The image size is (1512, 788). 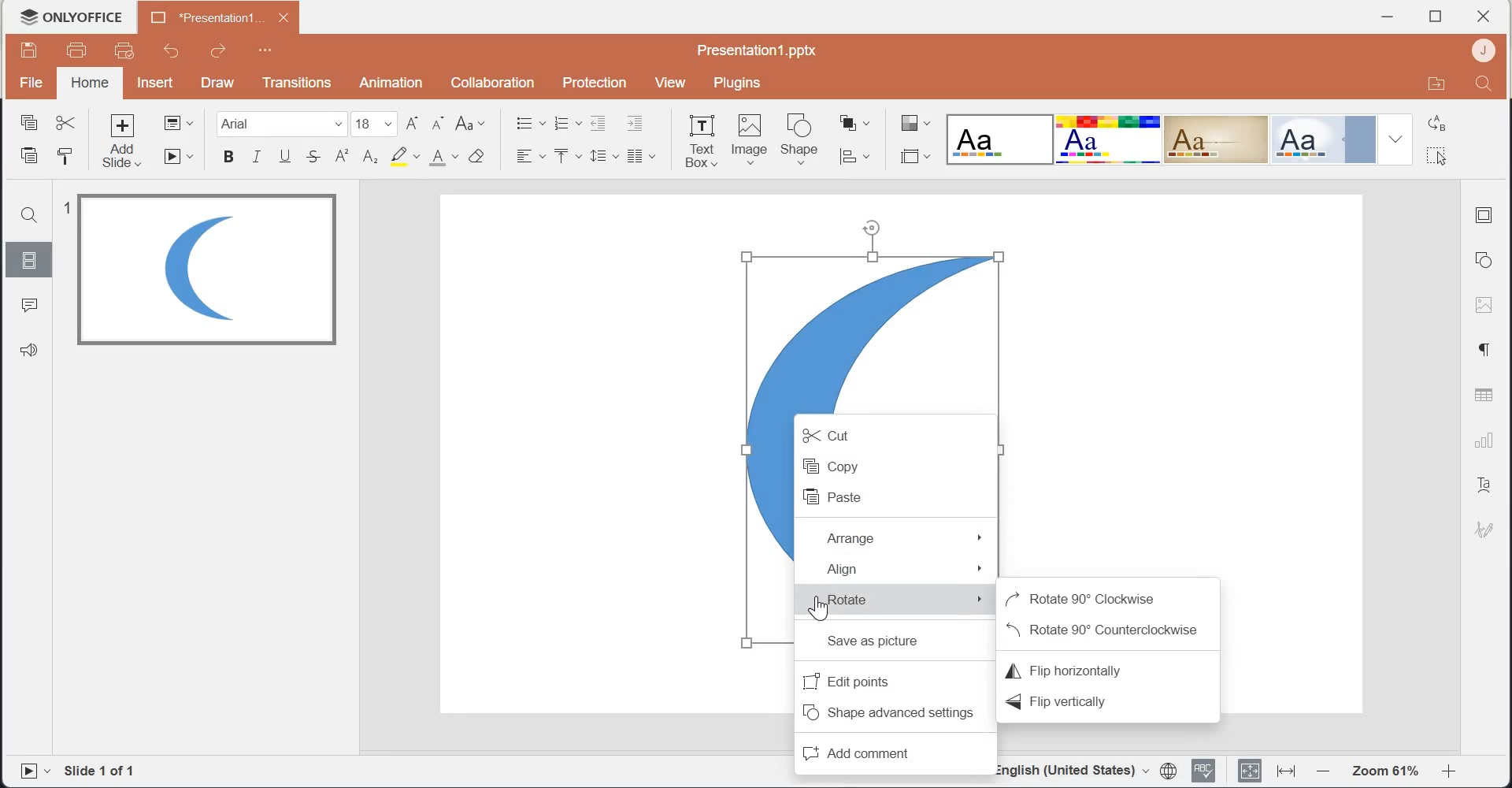 I want to click on Search, so click(x=1483, y=84).